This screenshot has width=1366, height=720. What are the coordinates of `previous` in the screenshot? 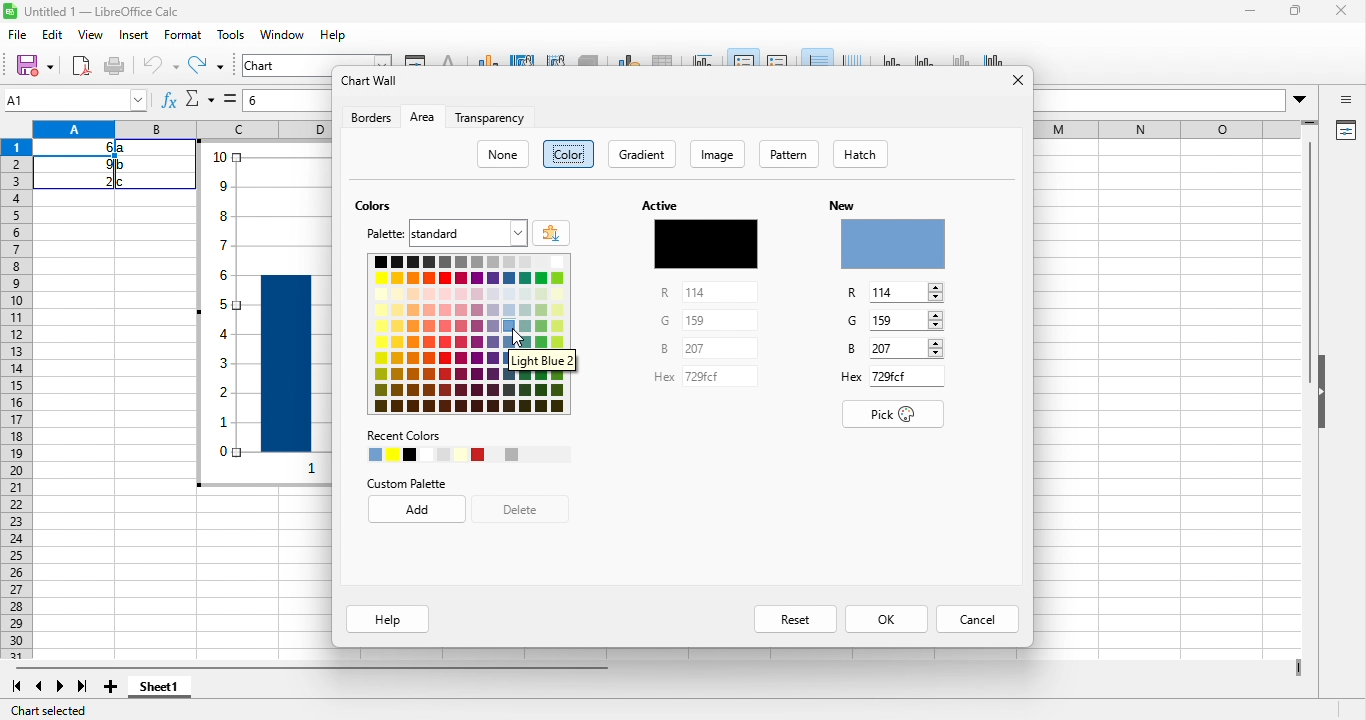 It's located at (39, 688).